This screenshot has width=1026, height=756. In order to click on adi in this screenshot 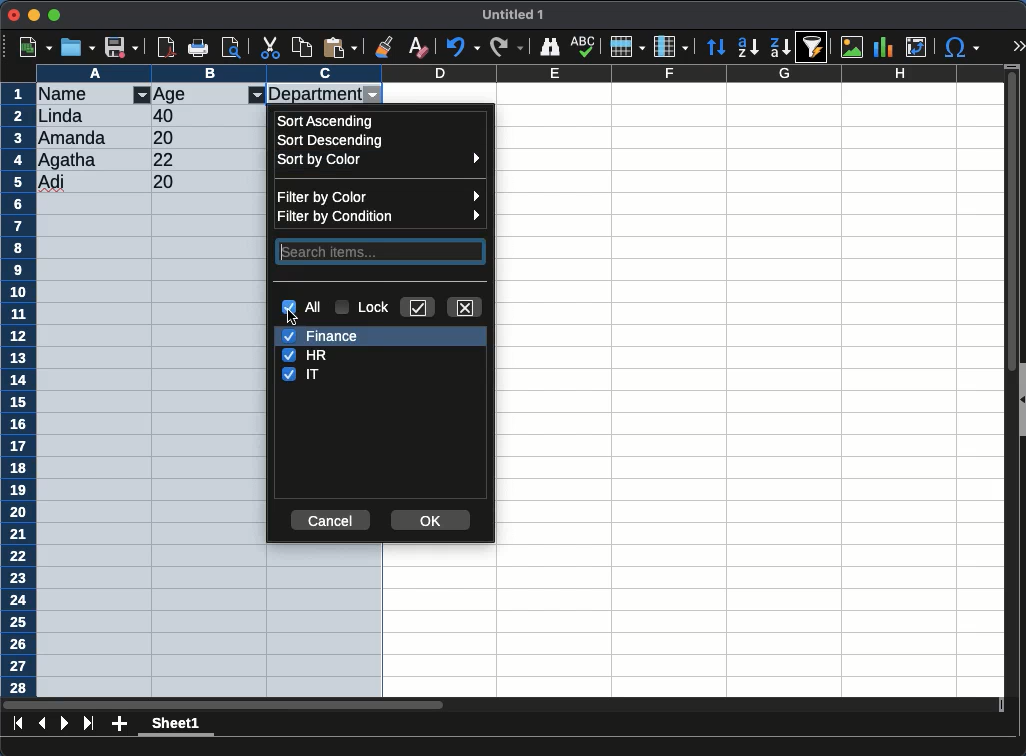, I will do `click(53, 183)`.